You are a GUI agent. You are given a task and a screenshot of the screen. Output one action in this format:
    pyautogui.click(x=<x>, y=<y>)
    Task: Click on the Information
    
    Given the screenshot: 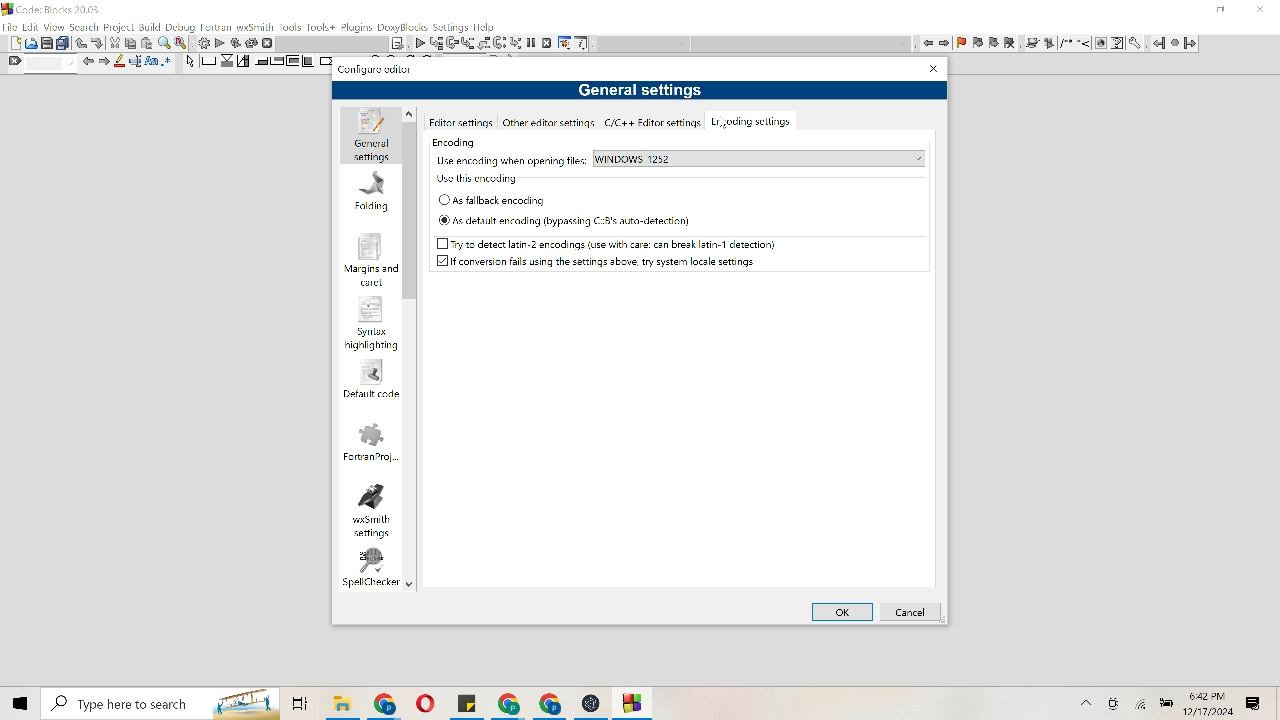 What is the action you would take?
    pyautogui.click(x=583, y=44)
    